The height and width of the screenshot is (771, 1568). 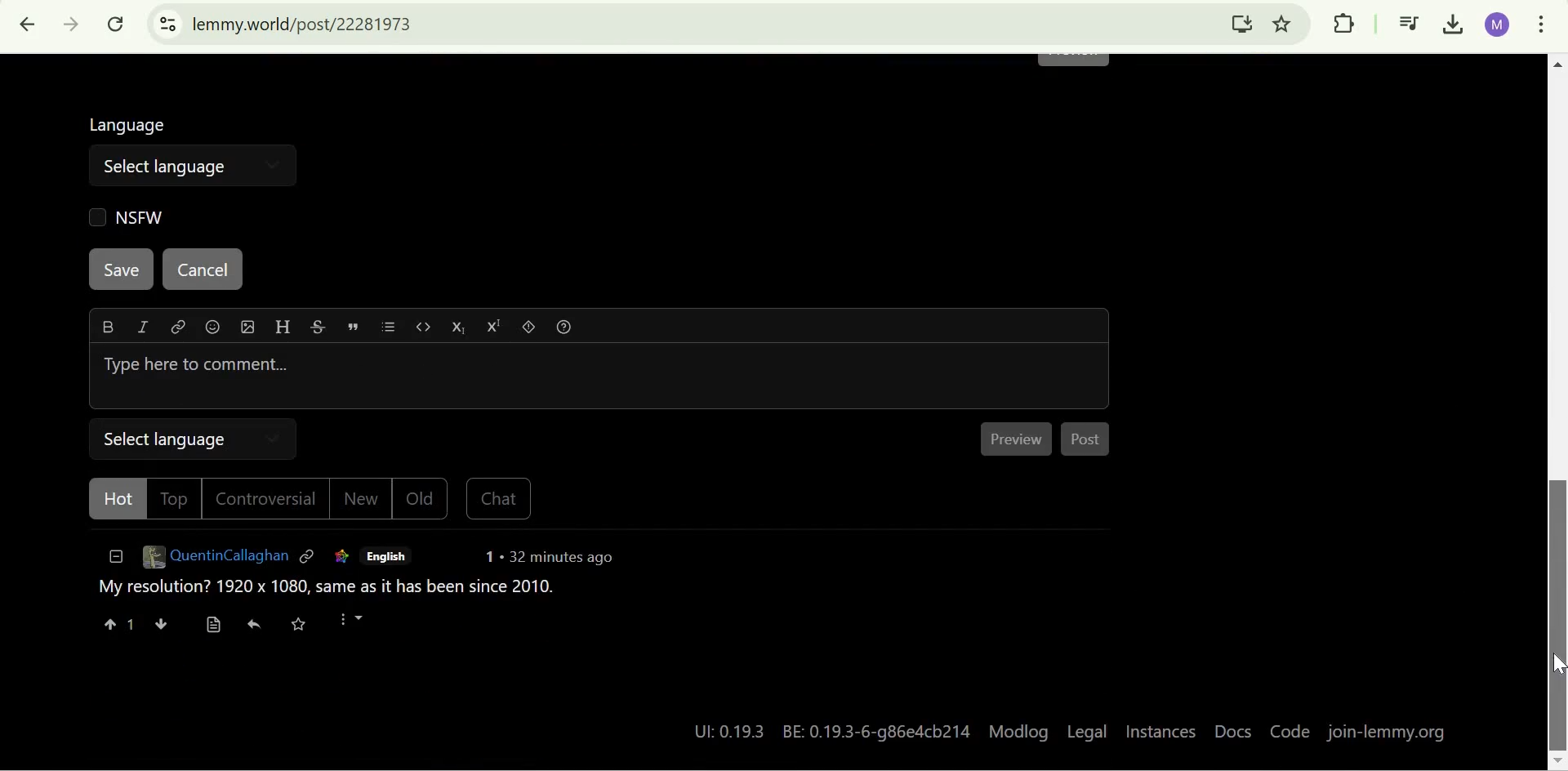 What do you see at coordinates (112, 501) in the screenshot?
I see `Hot` at bounding box center [112, 501].